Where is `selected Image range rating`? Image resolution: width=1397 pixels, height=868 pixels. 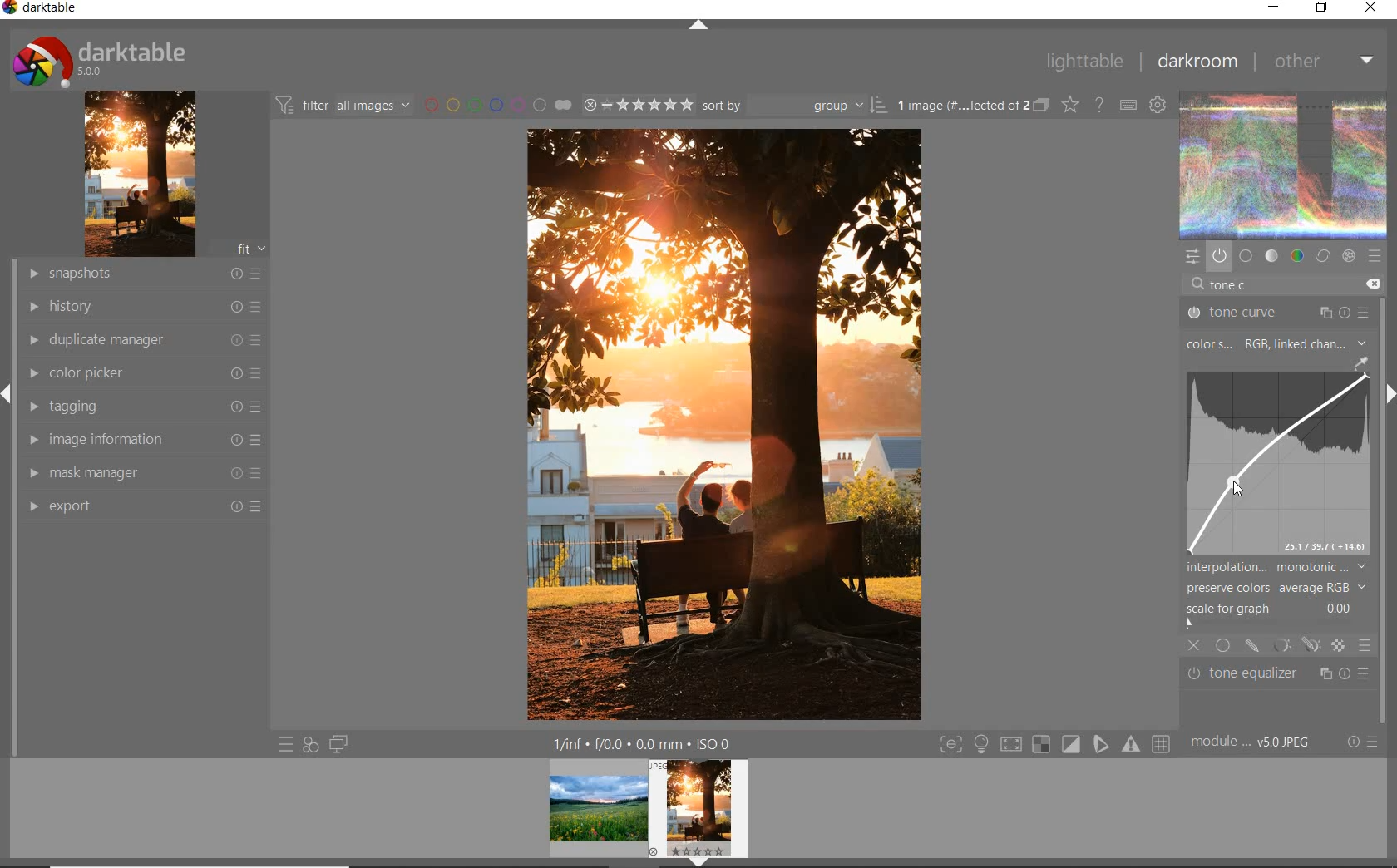
selected Image range rating is located at coordinates (638, 106).